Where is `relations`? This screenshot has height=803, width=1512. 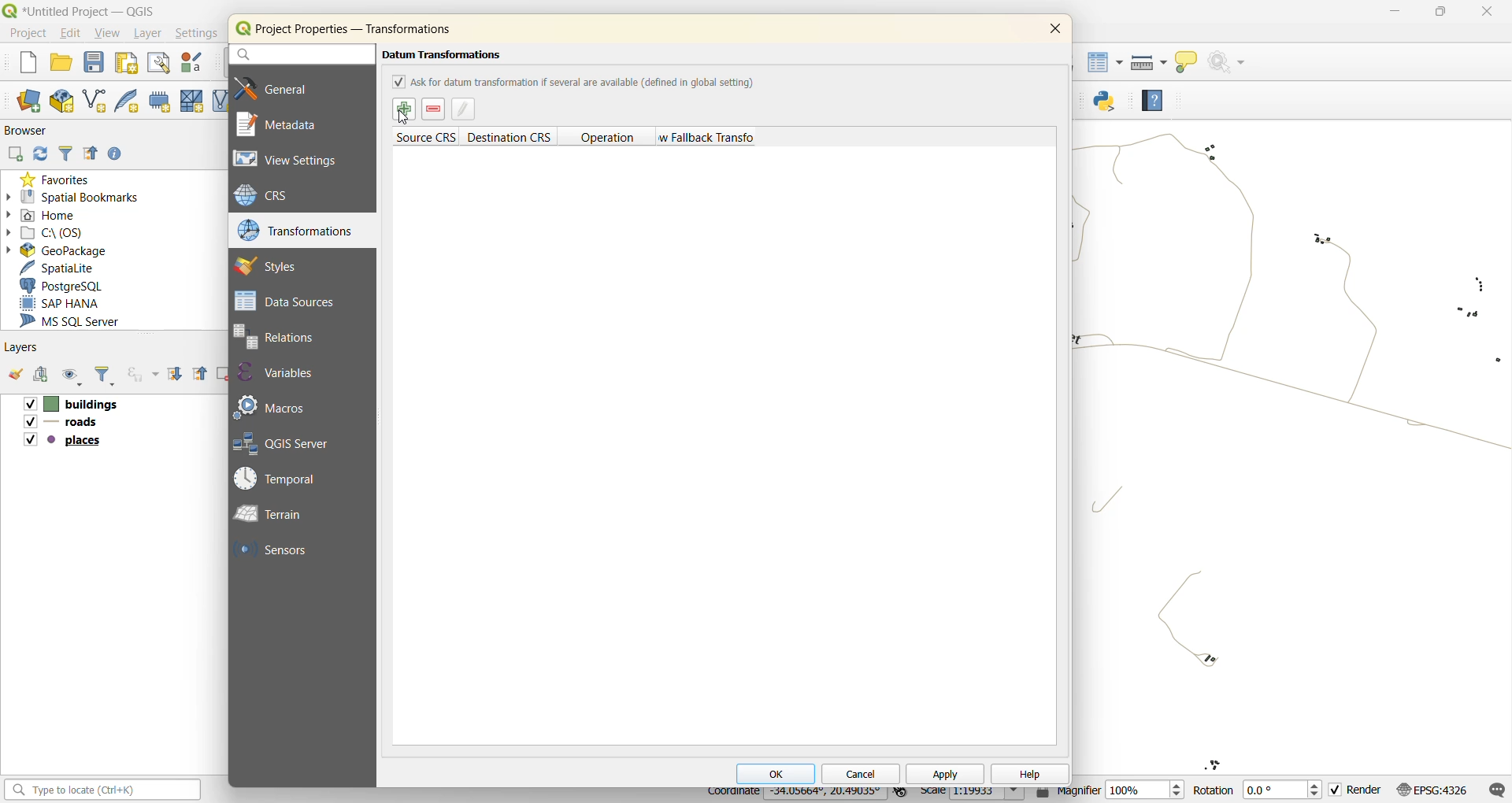
relations is located at coordinates (288, 336).